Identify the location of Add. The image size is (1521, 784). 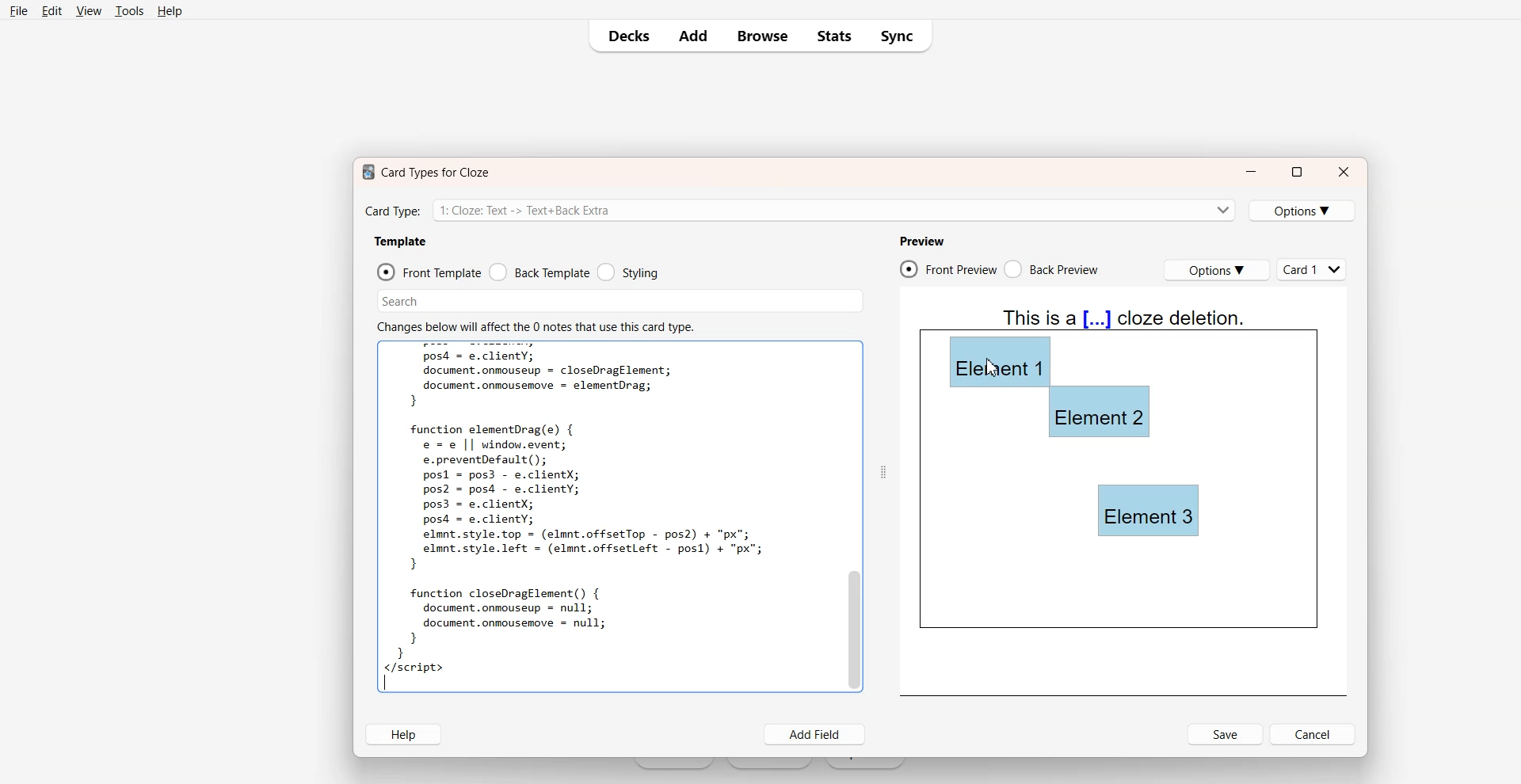
(692, 36).